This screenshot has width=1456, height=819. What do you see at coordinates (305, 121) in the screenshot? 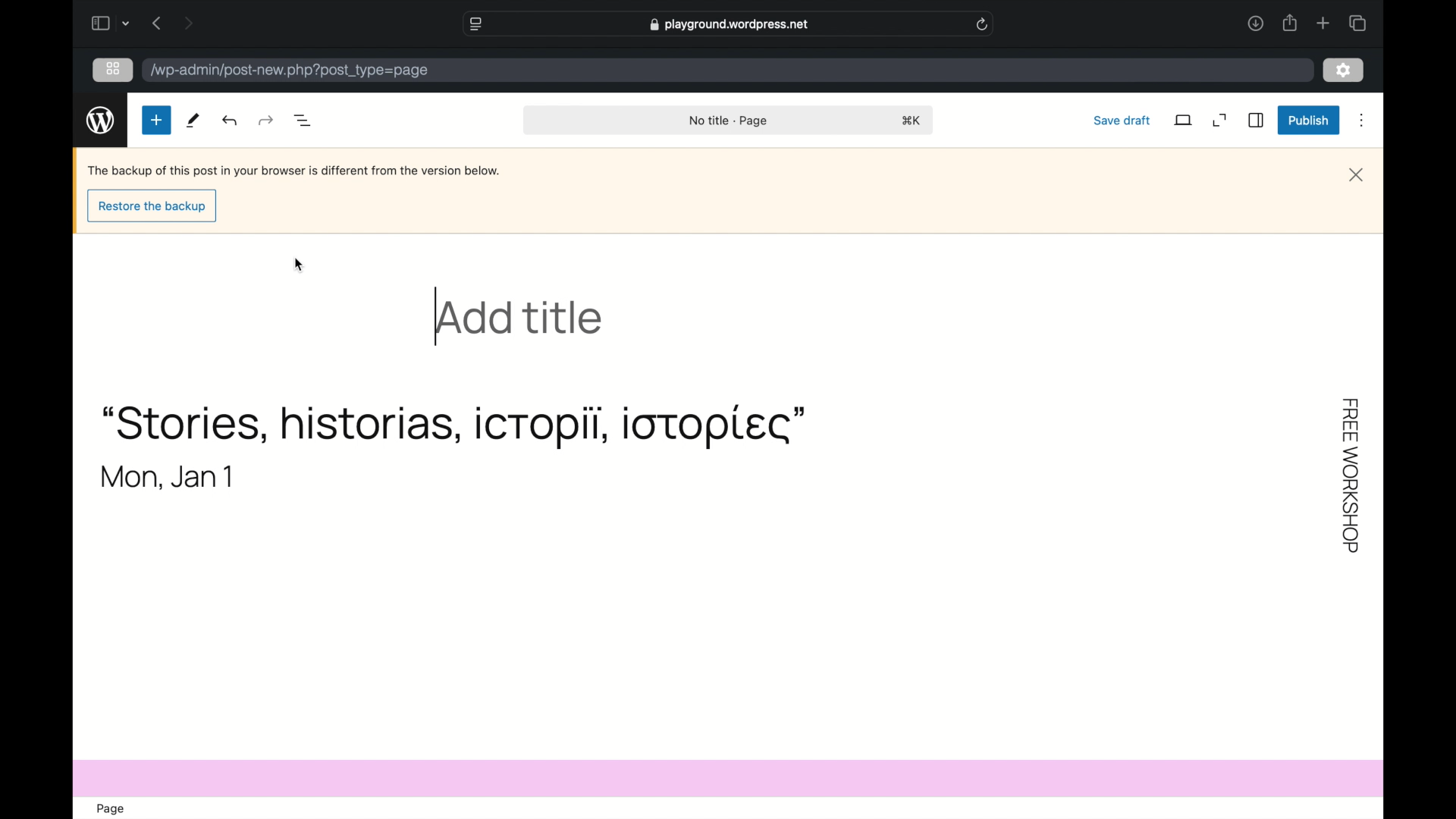
I see `document overview` at bounding box center [305, 121].